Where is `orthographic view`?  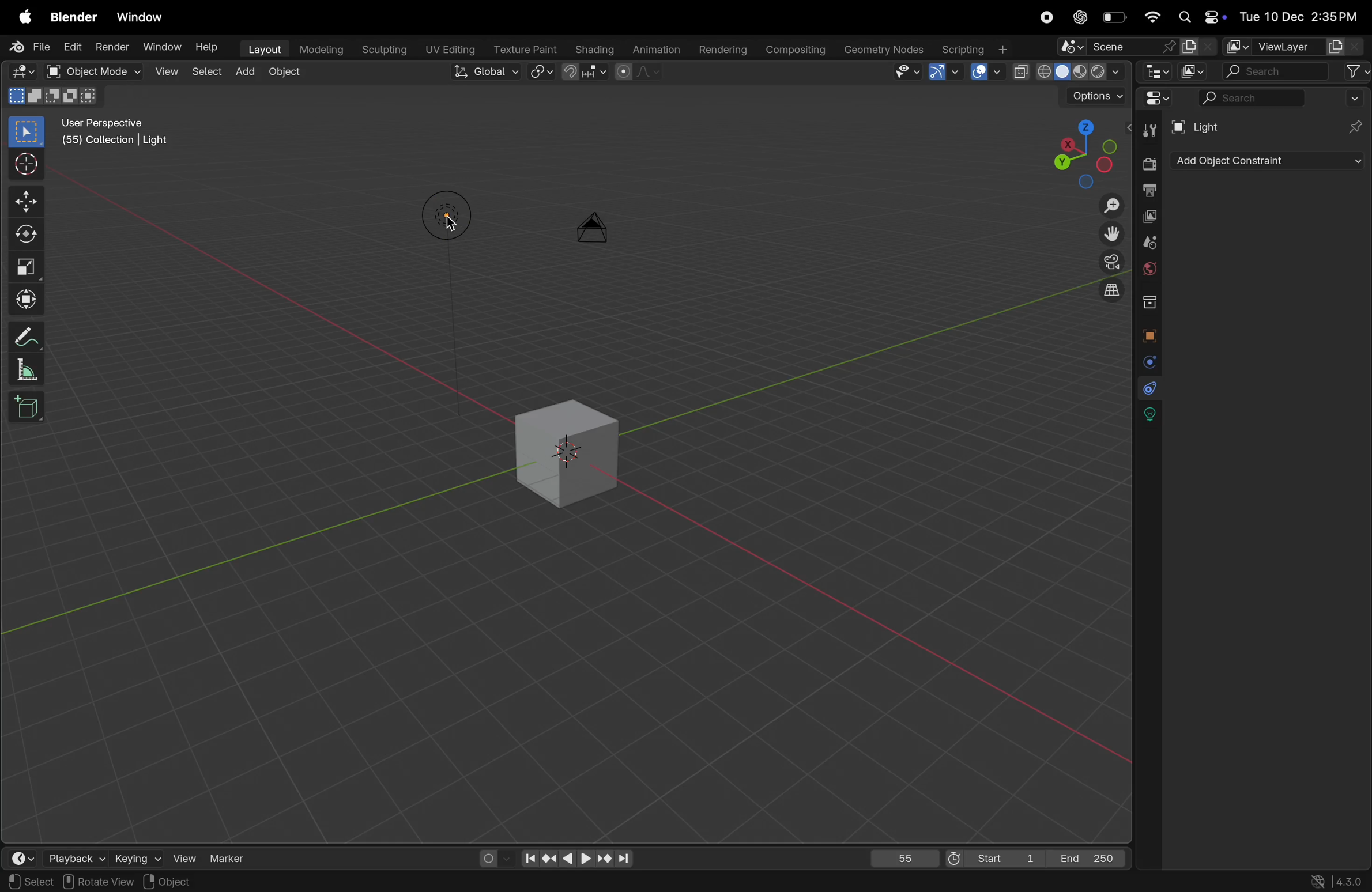
orthographic view is located at coordinates (1114, 293).